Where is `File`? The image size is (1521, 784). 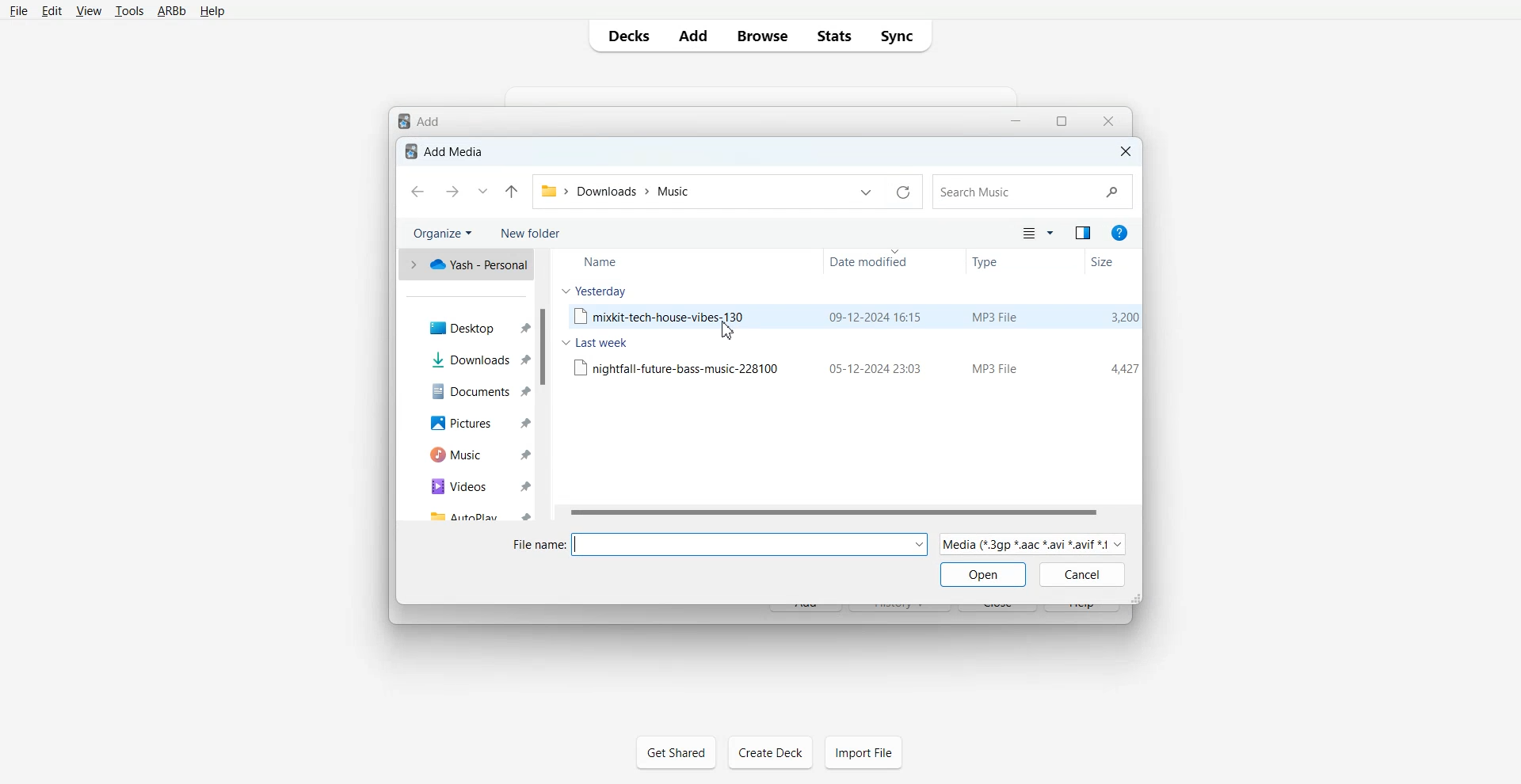
File is located at coordinates (853, 316).